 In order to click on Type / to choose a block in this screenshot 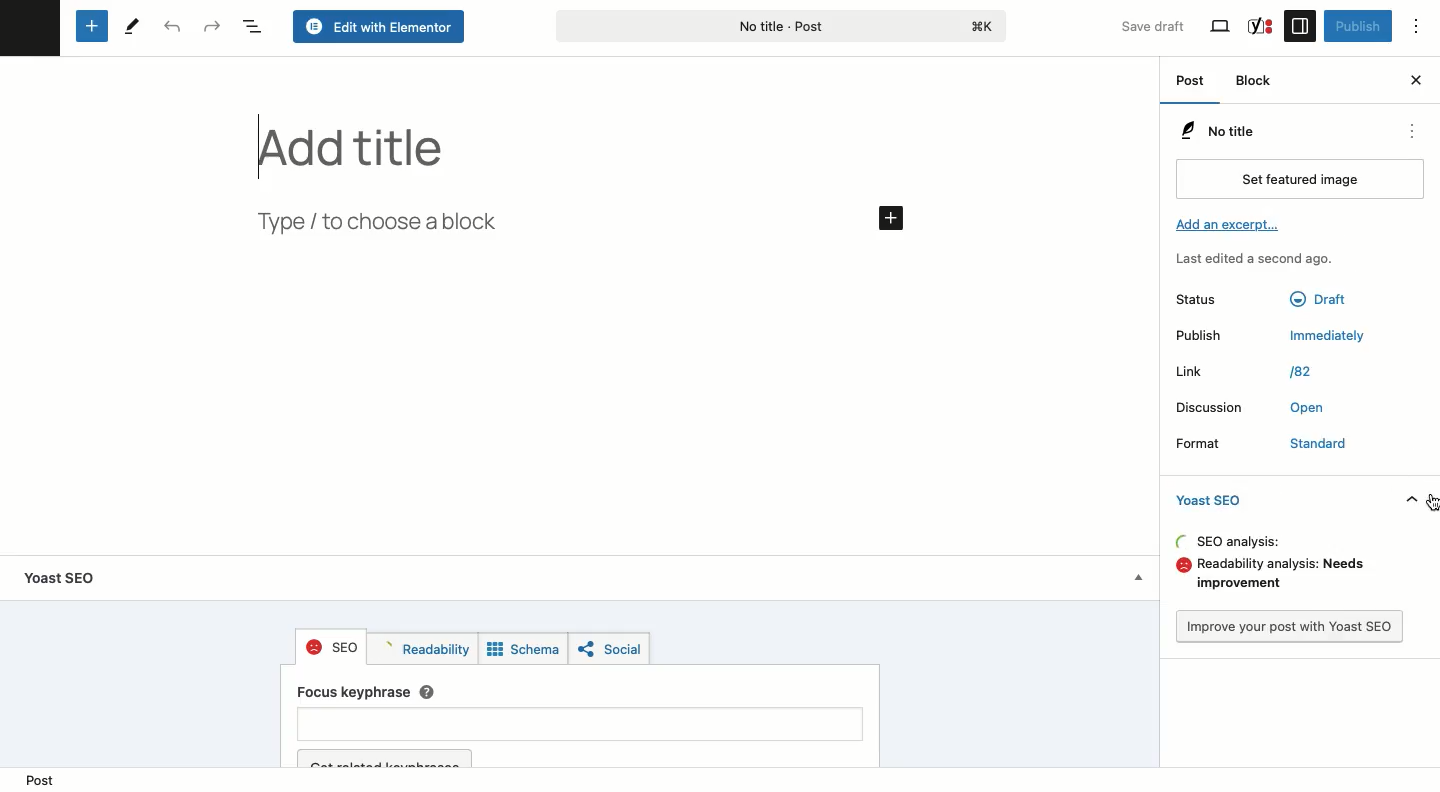, I will do `click(380, 222)`.